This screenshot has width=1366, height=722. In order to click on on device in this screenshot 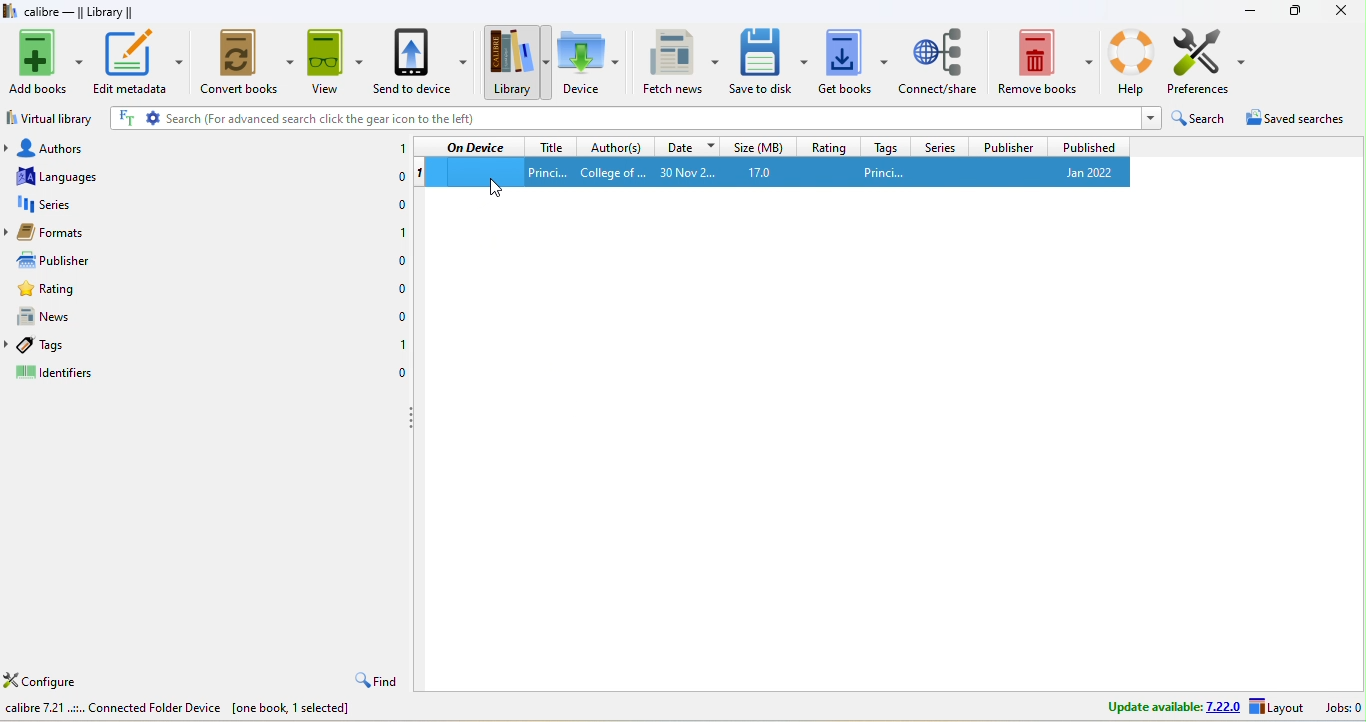, I will do `click(475, 147)`.